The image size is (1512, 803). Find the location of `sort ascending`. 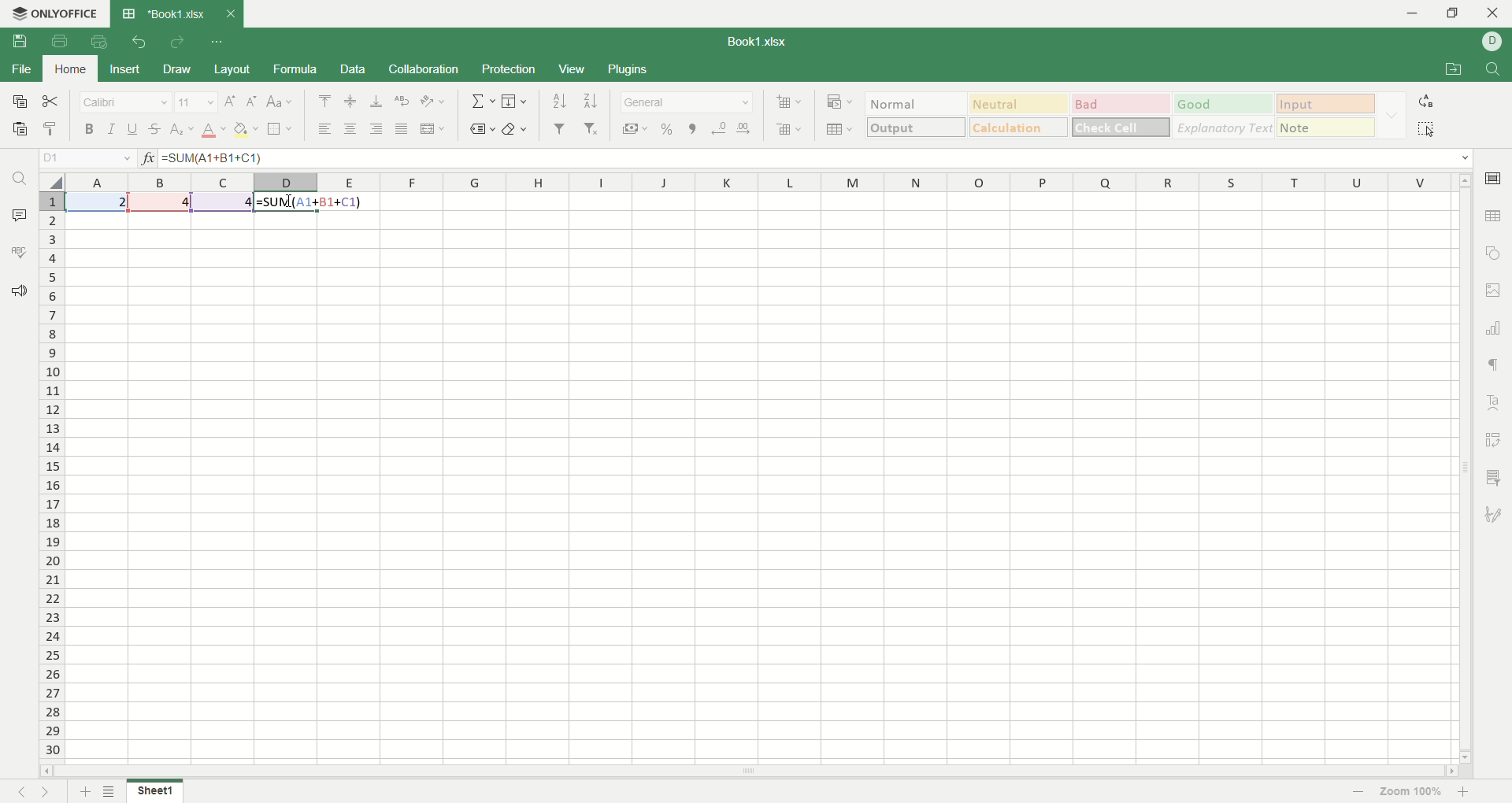

sort ascending is located at coordinates (558, 101).